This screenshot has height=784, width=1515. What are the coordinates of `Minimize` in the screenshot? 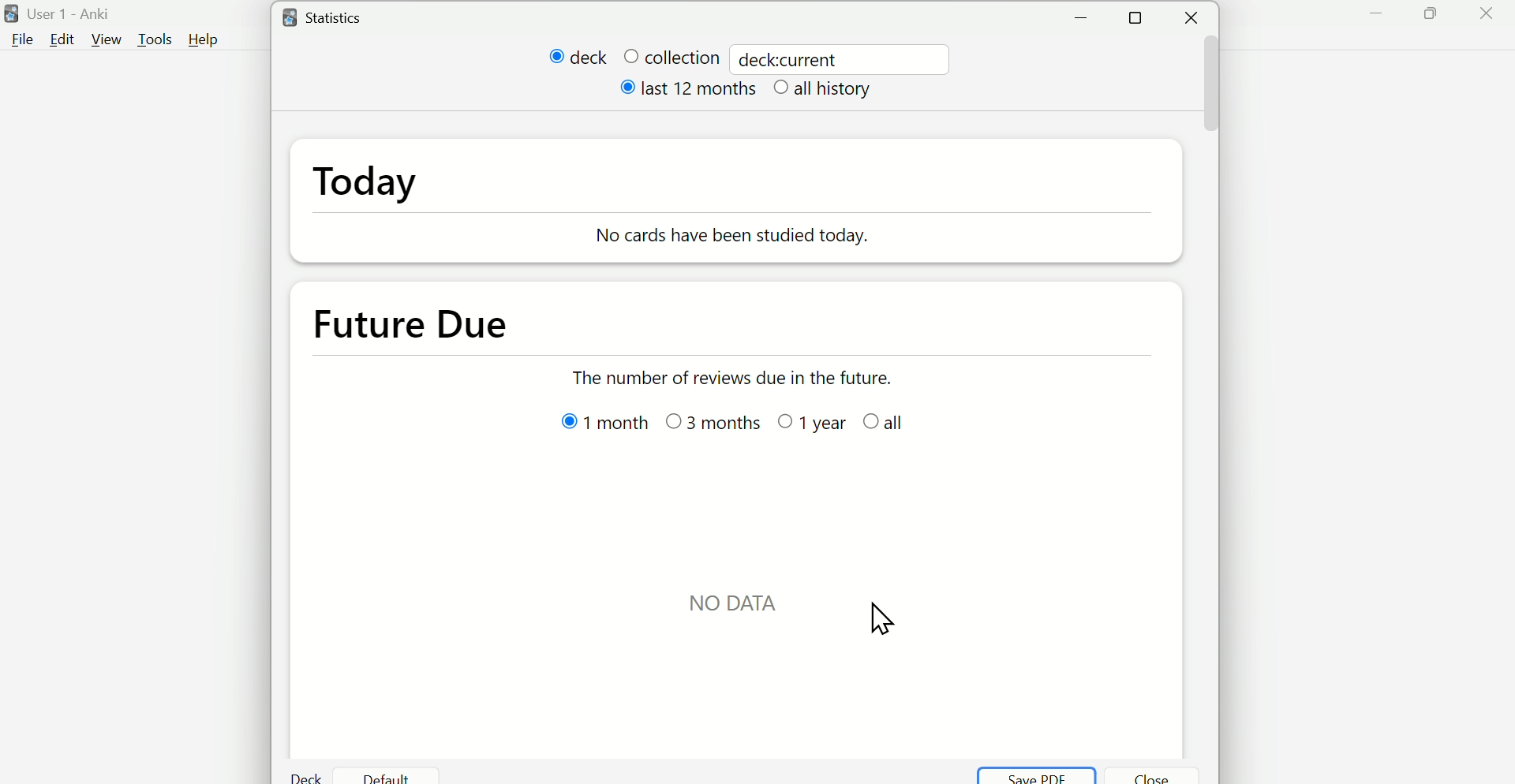 It's located at (1382, 18).